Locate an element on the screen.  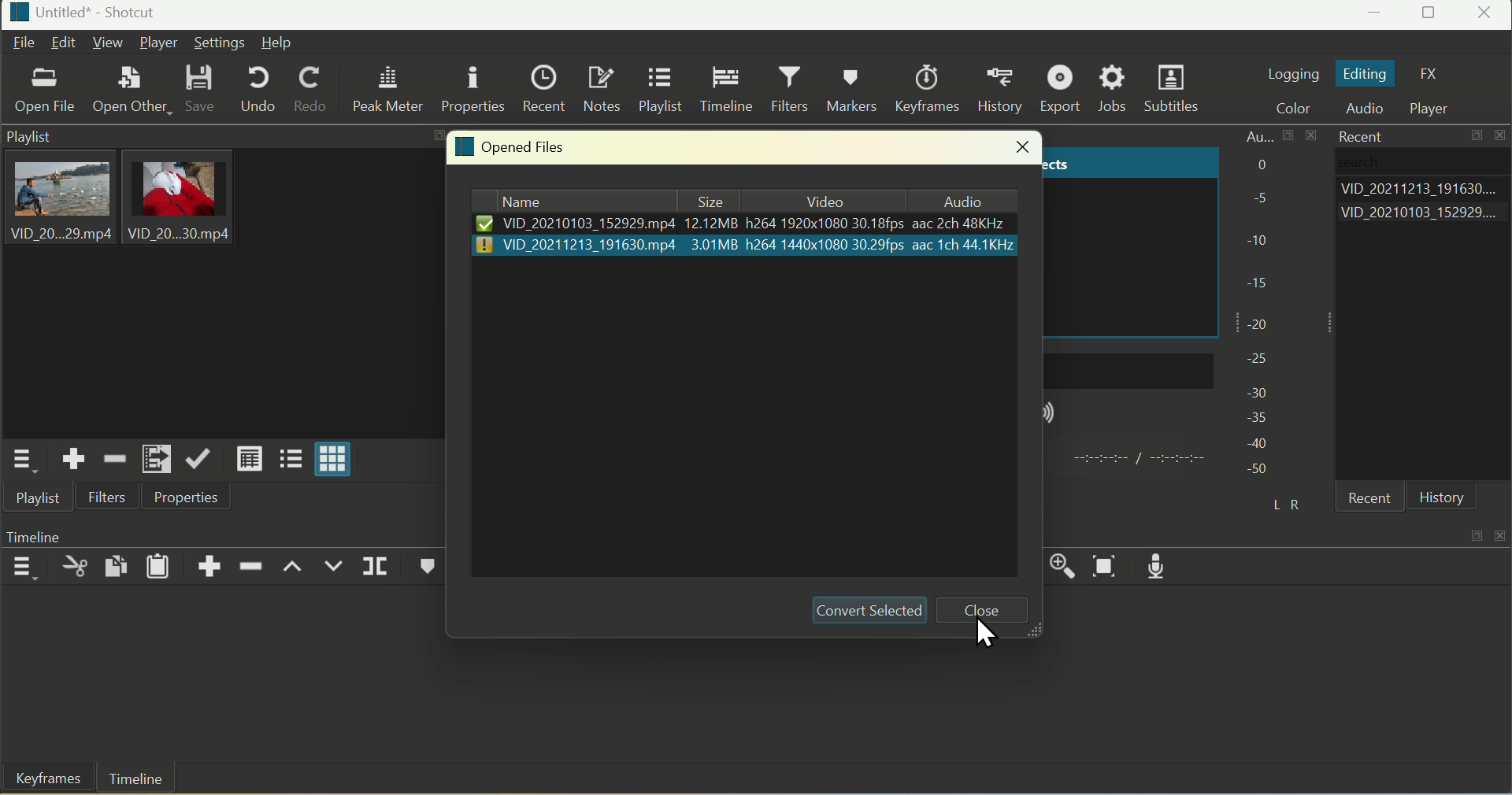
Edit is located at coordinates (65, 42).